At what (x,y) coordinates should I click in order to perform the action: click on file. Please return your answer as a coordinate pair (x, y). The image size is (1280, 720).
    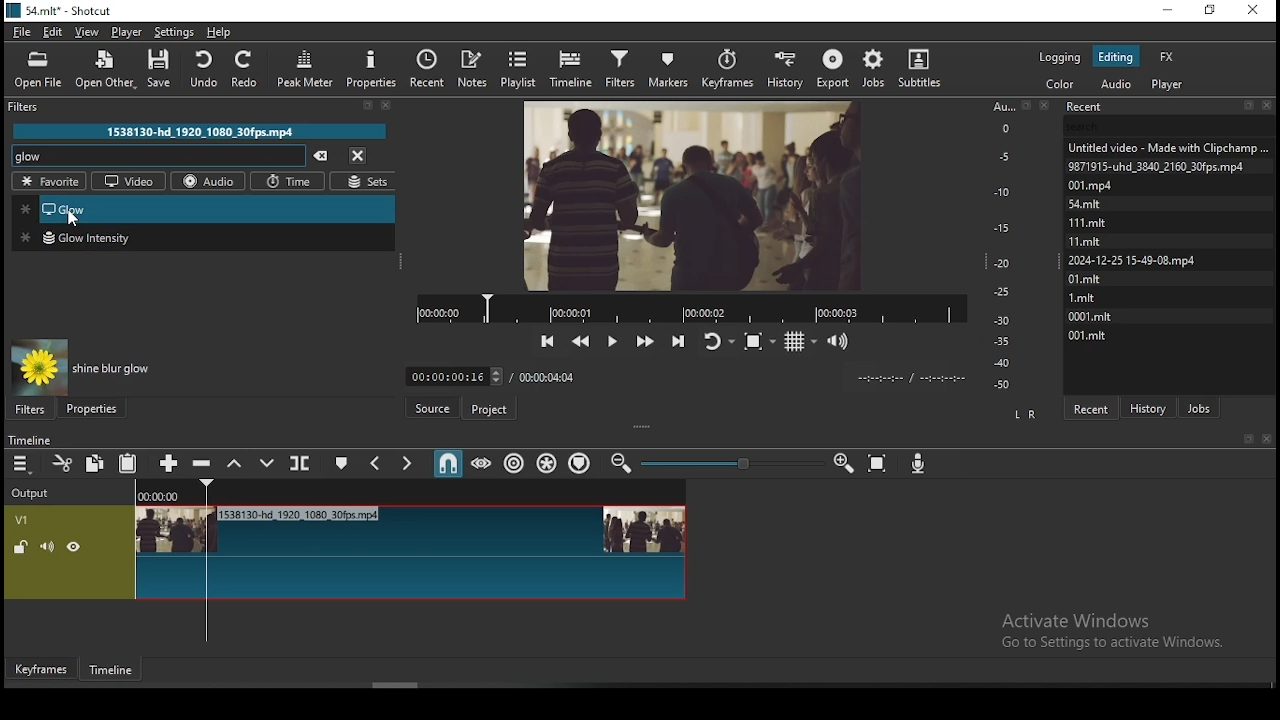
    Looking at the image, I should click on (24, 32).